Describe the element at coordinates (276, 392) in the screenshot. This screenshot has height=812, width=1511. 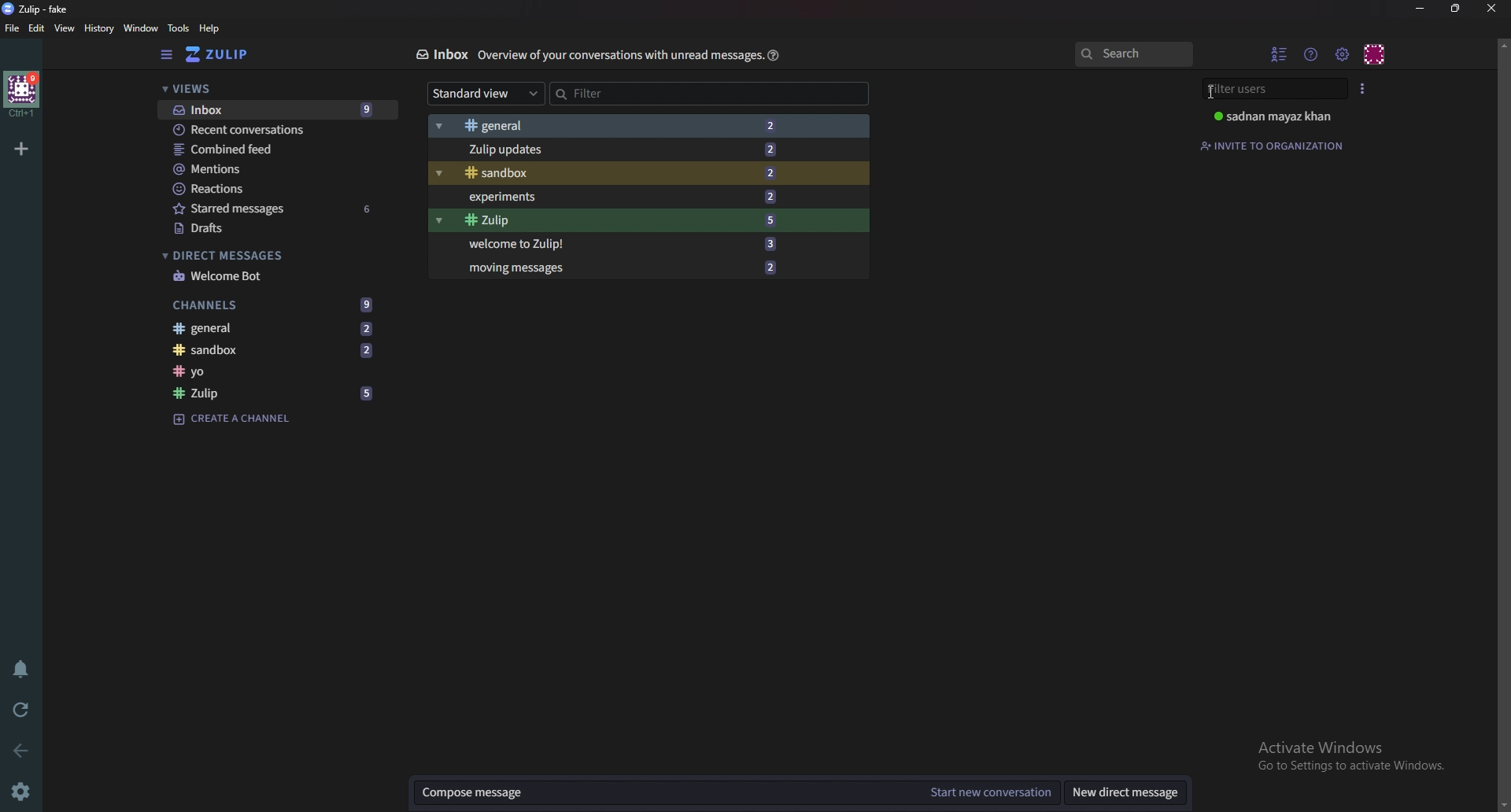
I see `Zulip` at that location.